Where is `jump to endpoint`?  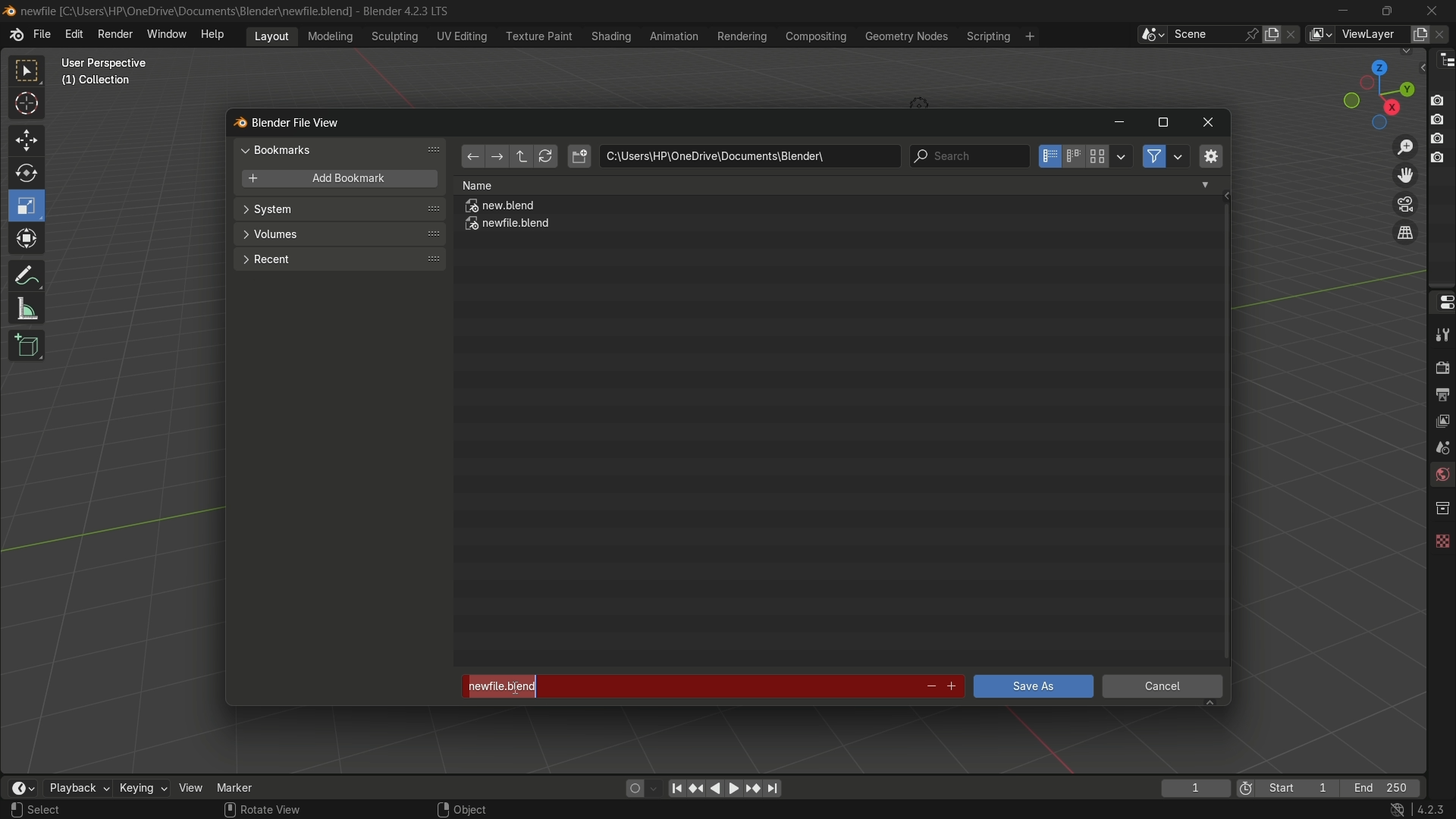
jump to endpoint is located at coordinates (676, 787).